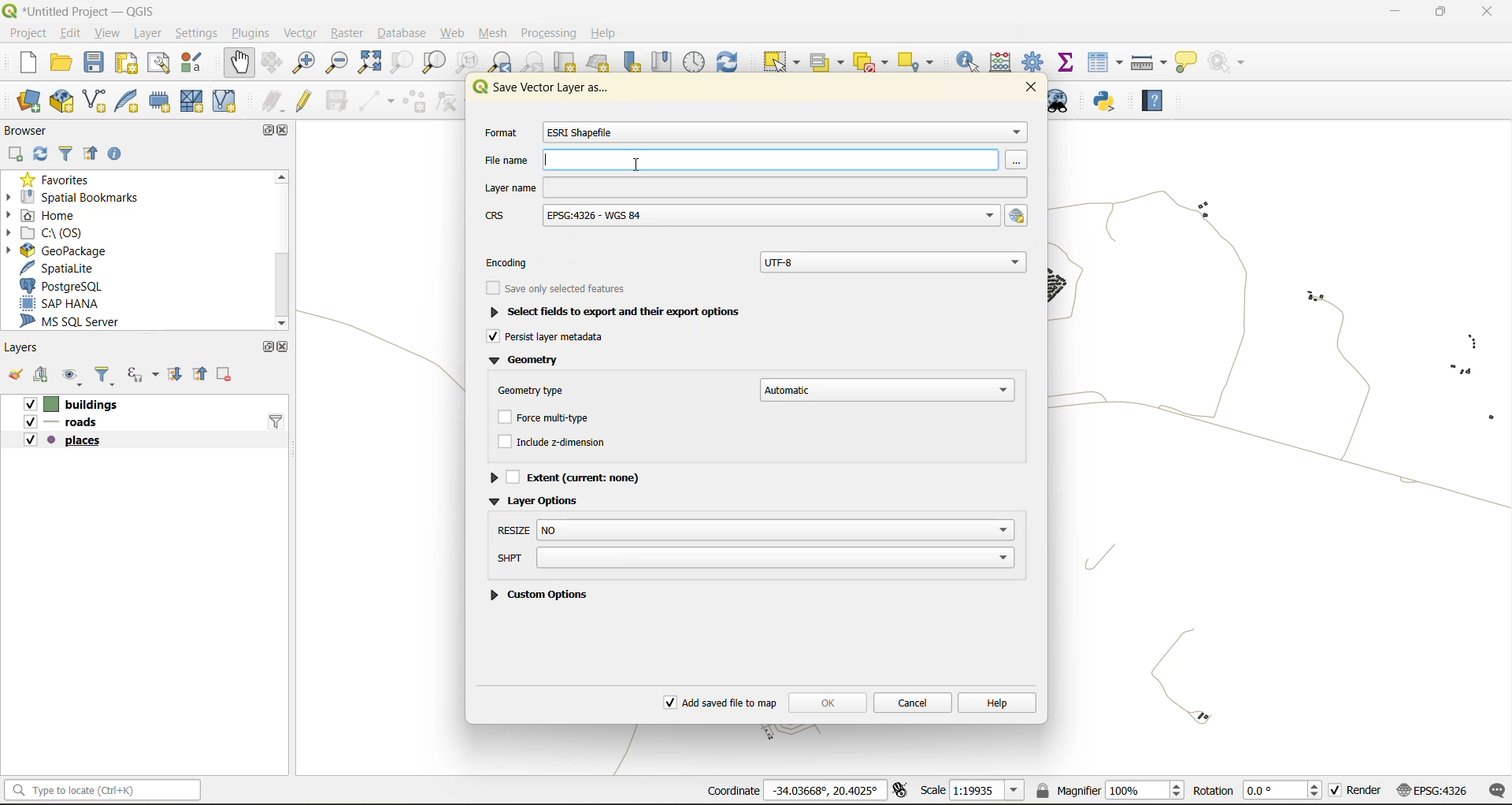 This screenshot has height=805, width=1512. What do you see at coordinates (1110, 103) in the screenshot?
I see `python` at bounding box center [1110, 103].